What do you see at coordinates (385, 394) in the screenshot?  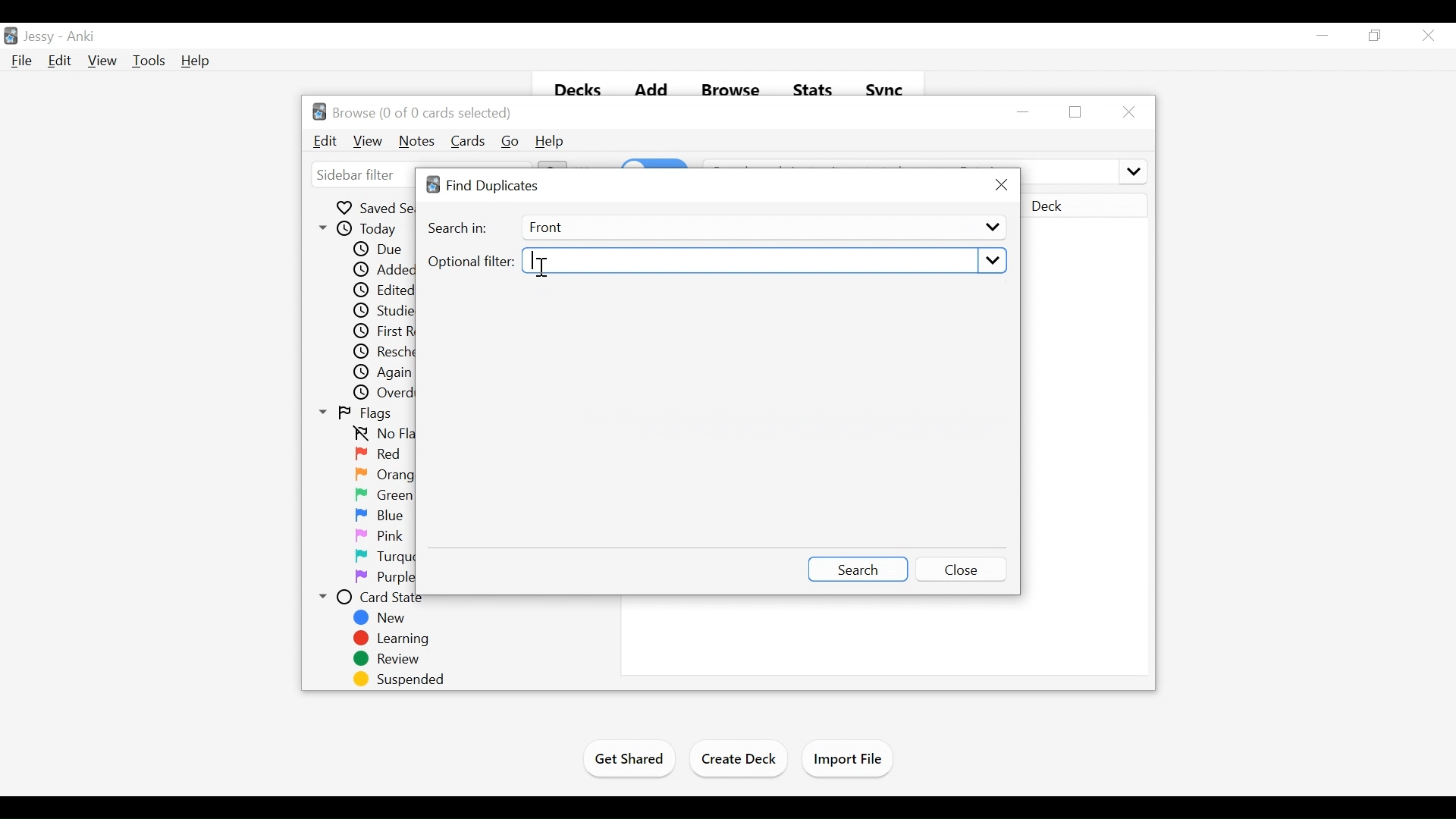 I see `Overdue` at bounding box center [385, 394].